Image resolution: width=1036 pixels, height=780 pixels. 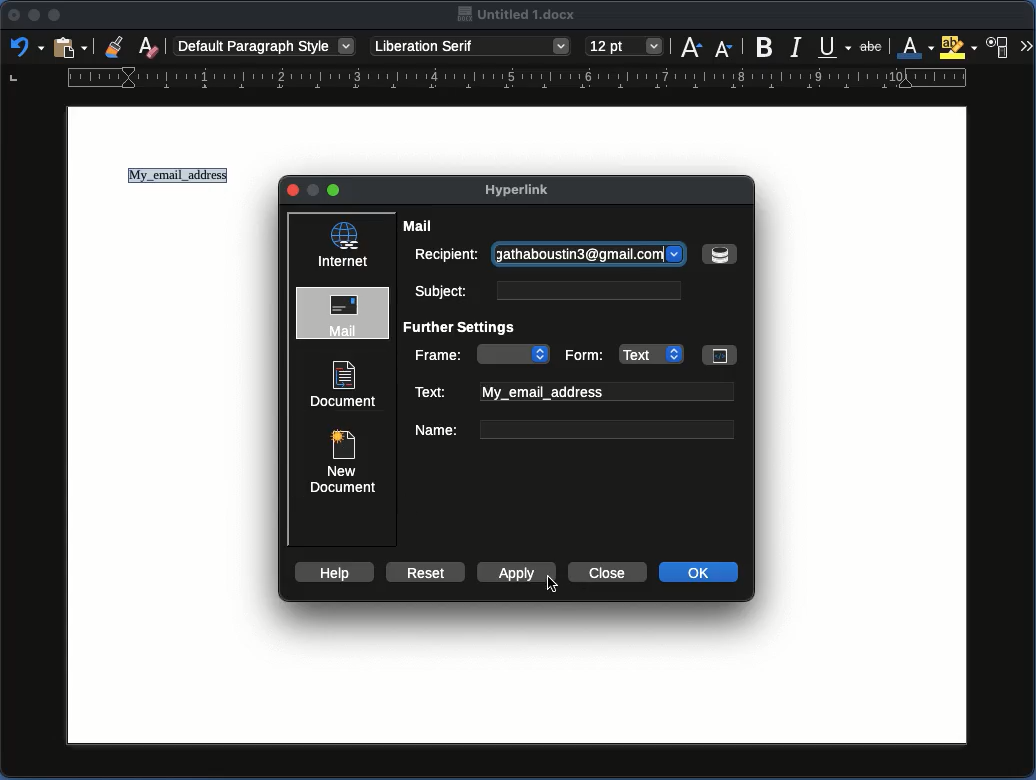 What do you see at coordinates (958, 47) in the screenshot?
I see `Highlighting` at bounding box center [958, 47].